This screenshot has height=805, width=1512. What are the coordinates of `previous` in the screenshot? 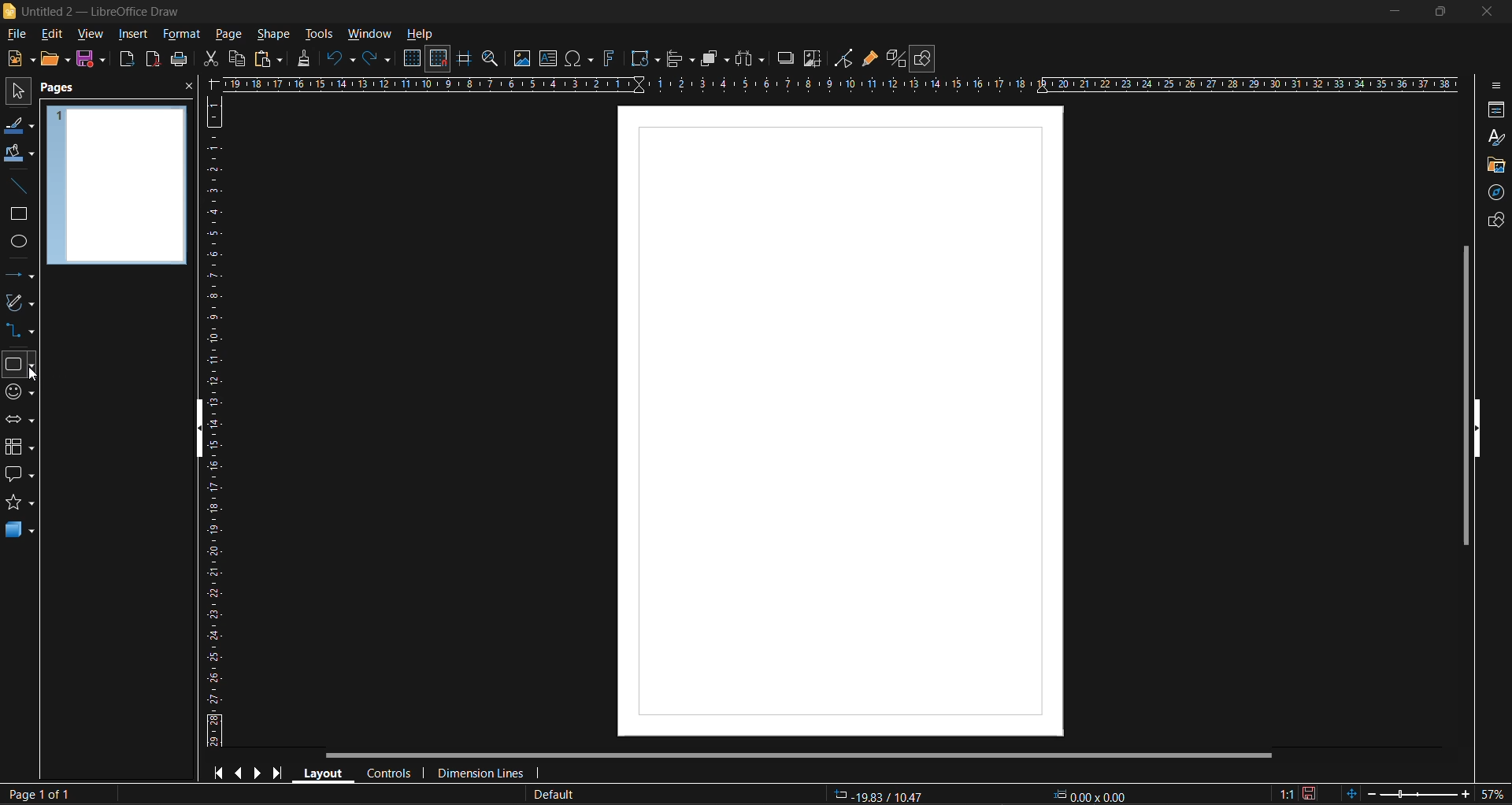 It's located at (237, 771).